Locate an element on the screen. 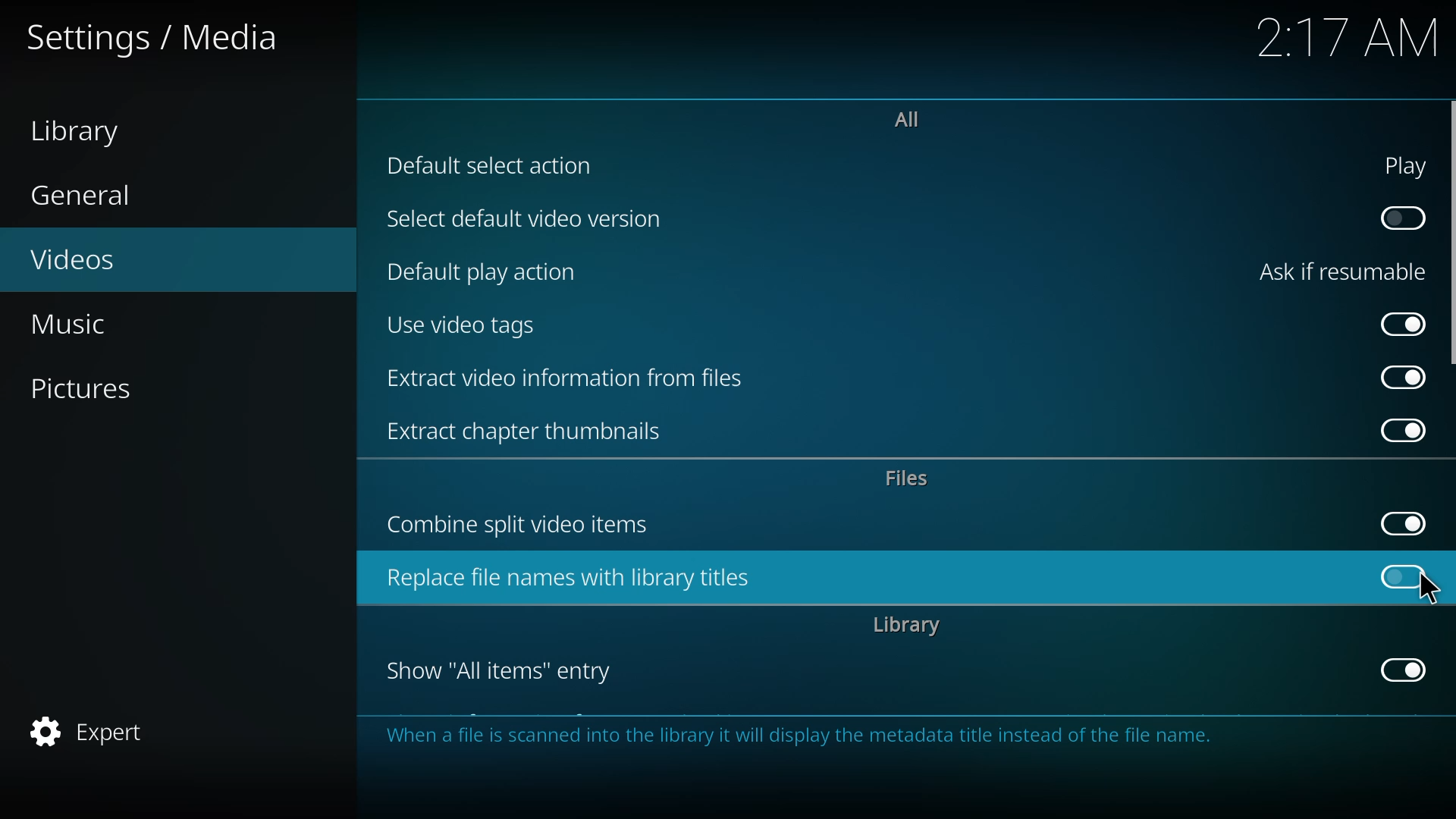 Image resolution: width=1456 pixels, height=819 pixels. ask is located at coordinates (1340, 272).